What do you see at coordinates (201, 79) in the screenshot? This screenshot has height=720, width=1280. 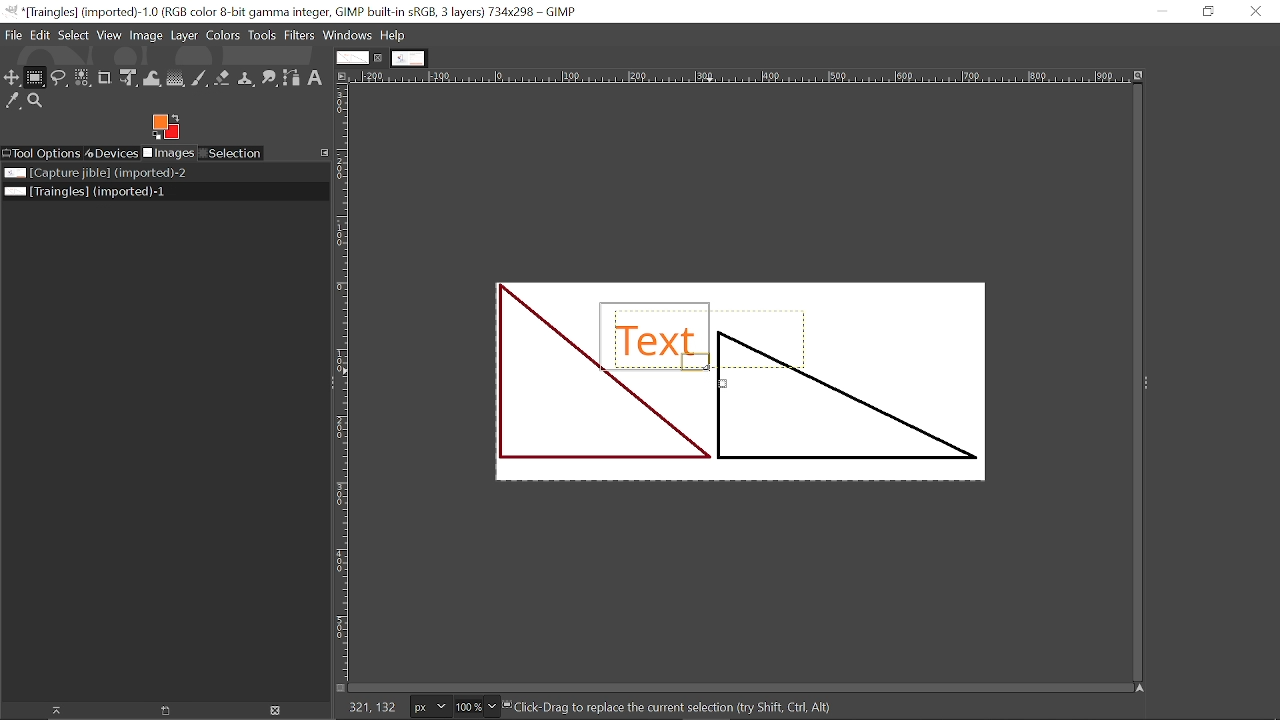 I see `Paintbrush tool` at bounding box center [201, 79].